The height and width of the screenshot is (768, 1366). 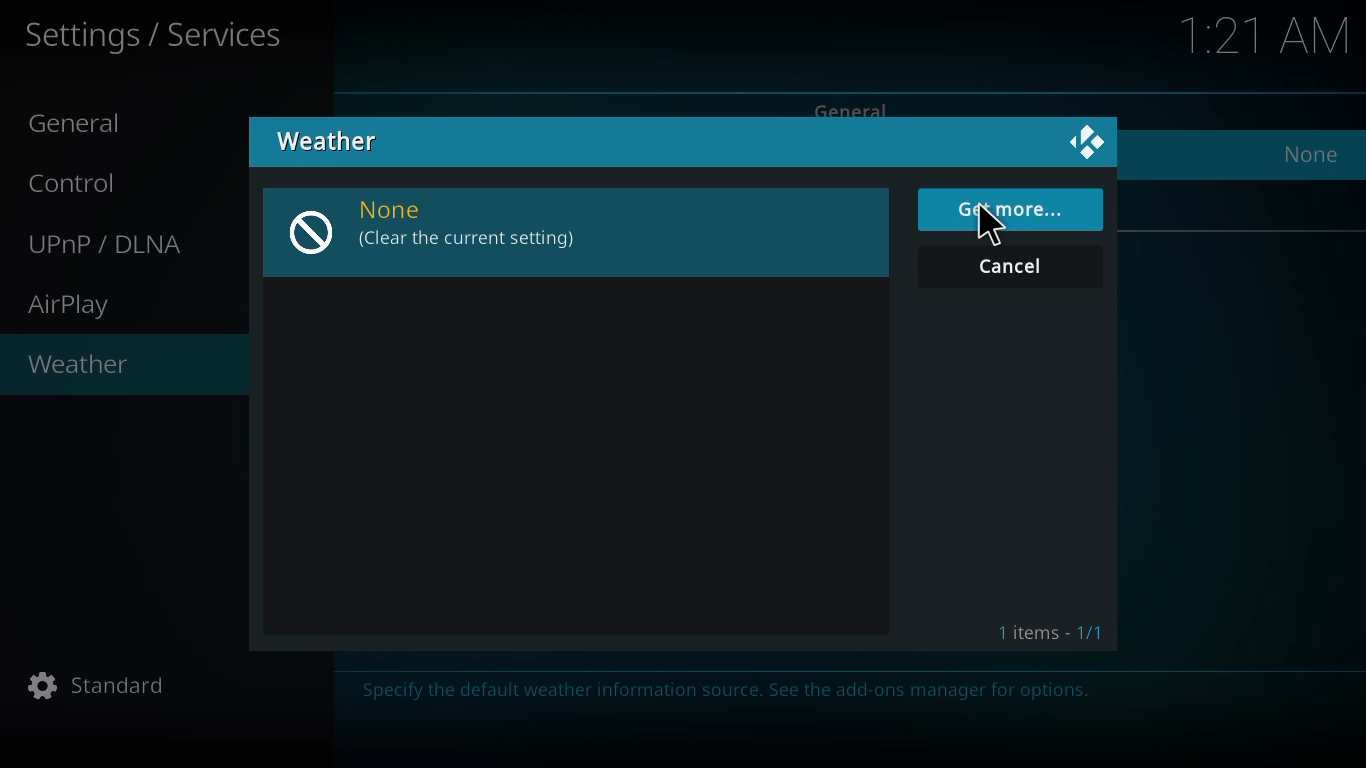 What do you see at coordinates (1016, 268) in the screenshot?
I see `cancel` at bounding box center [1016, 268].